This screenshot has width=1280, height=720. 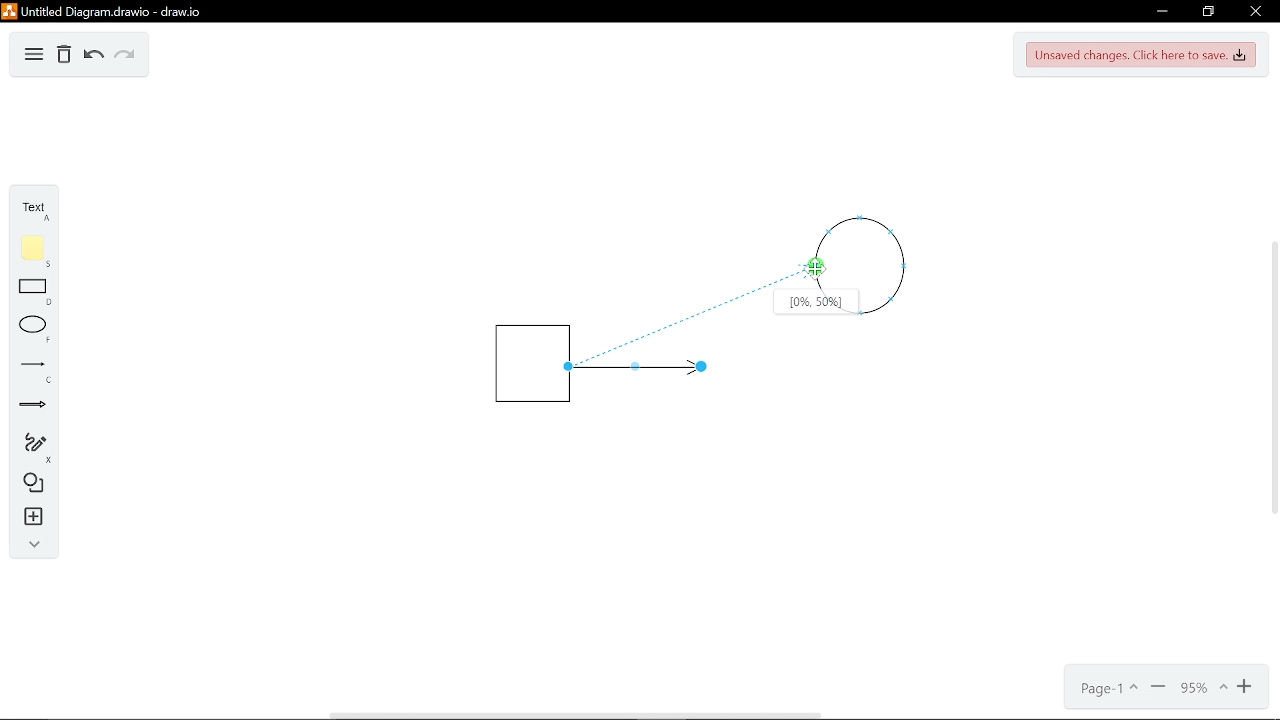 I want to click on Shapes, so click(x=26, y=483).